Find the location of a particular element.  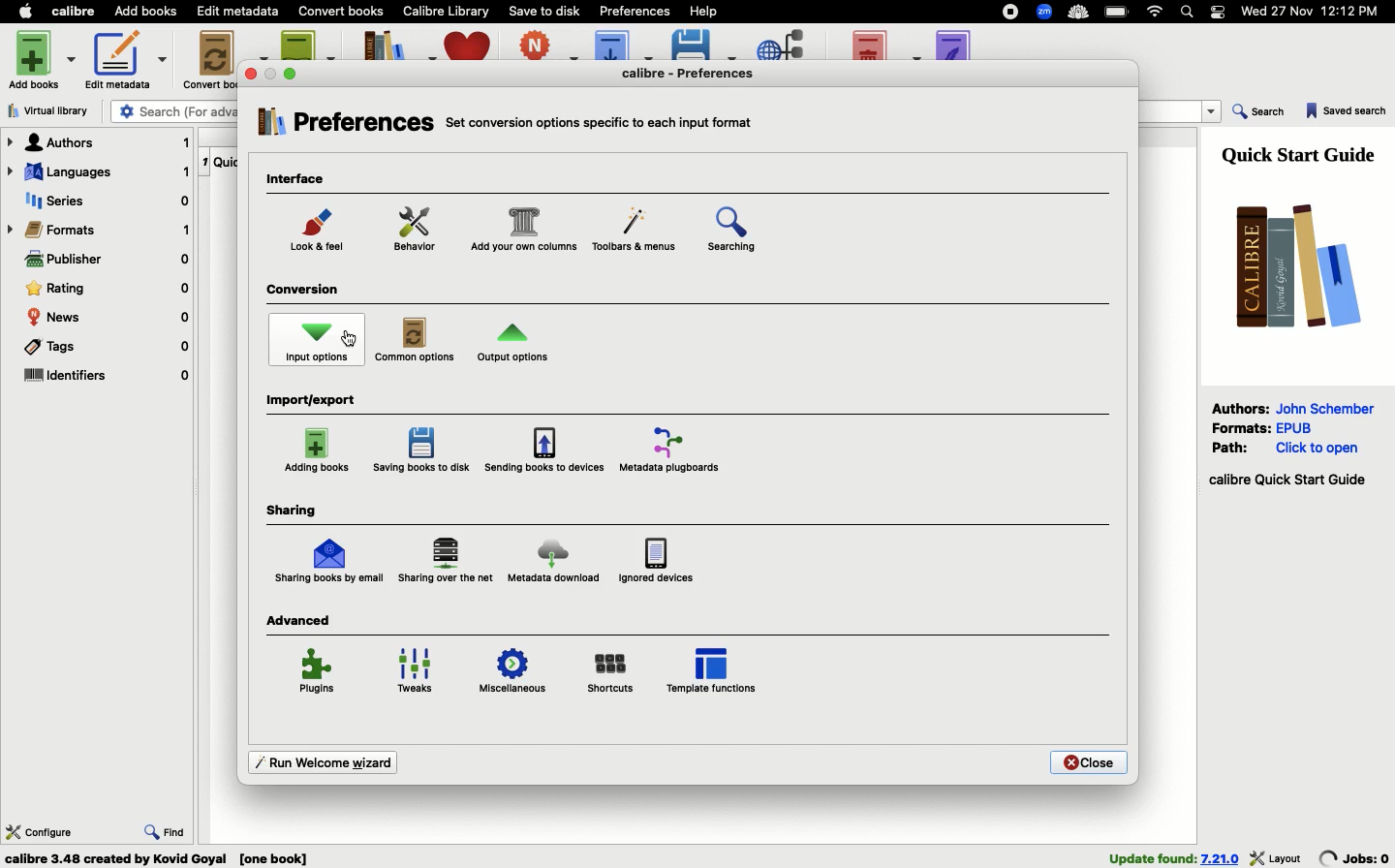

Look and feel is located at coordinates (321, 234).